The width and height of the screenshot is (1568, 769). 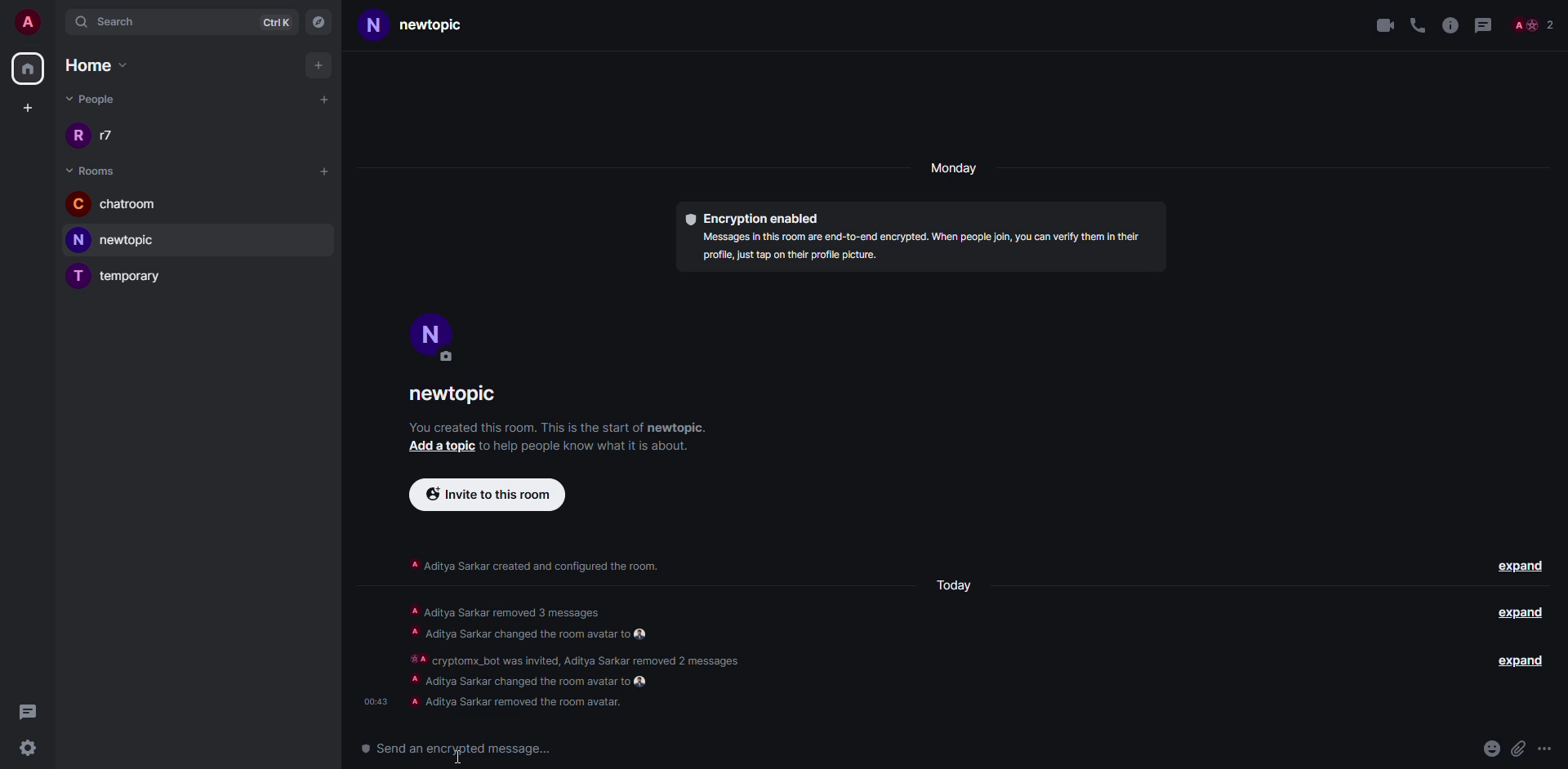 I want to click on ‘A Aditya Sarkar created and configured the room., so click(x=534, y=562).